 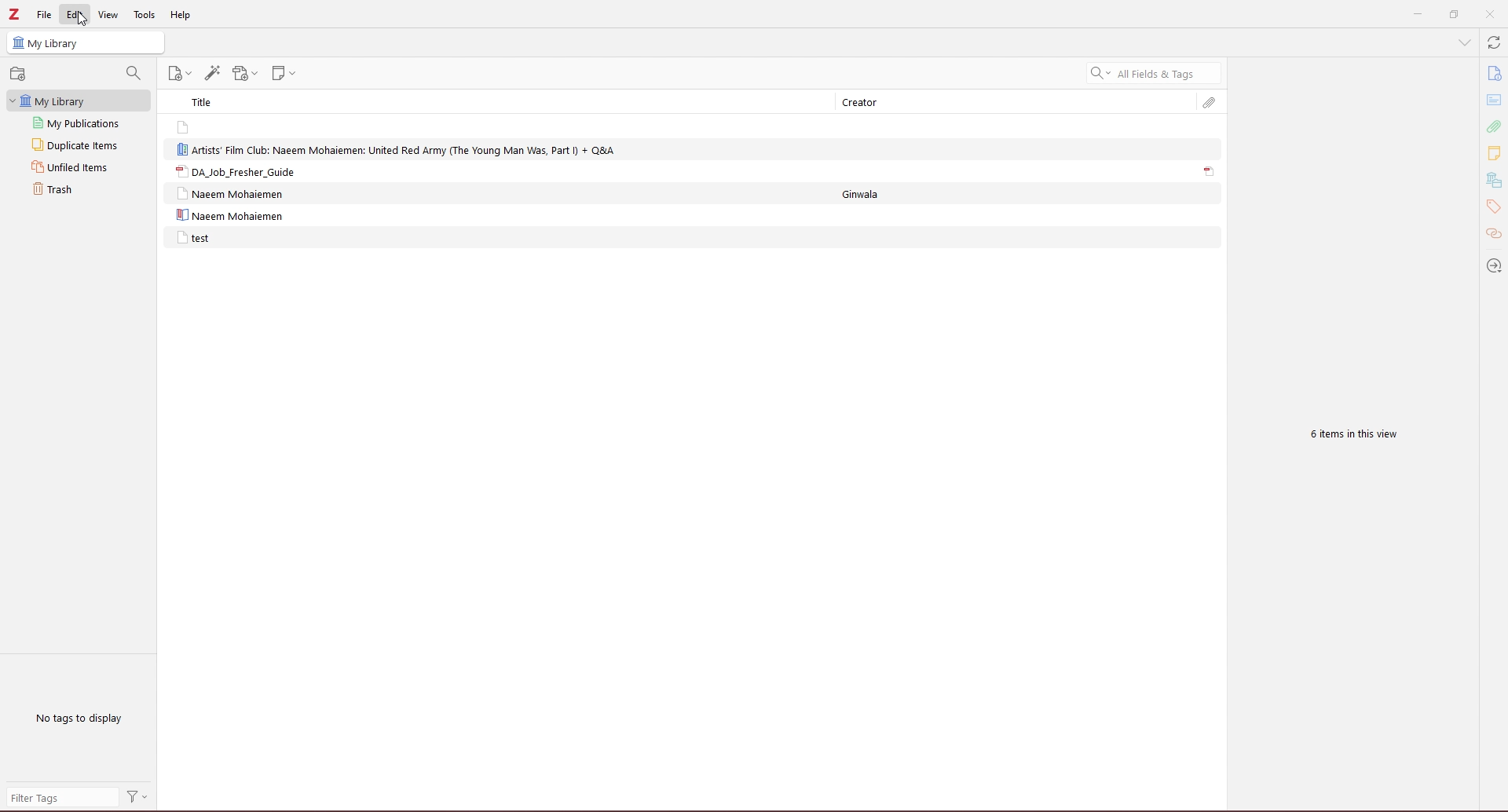 What do you see at coordinates (75, 189) in the screenshot?
I see `trash` at bounding box center [75, 189].